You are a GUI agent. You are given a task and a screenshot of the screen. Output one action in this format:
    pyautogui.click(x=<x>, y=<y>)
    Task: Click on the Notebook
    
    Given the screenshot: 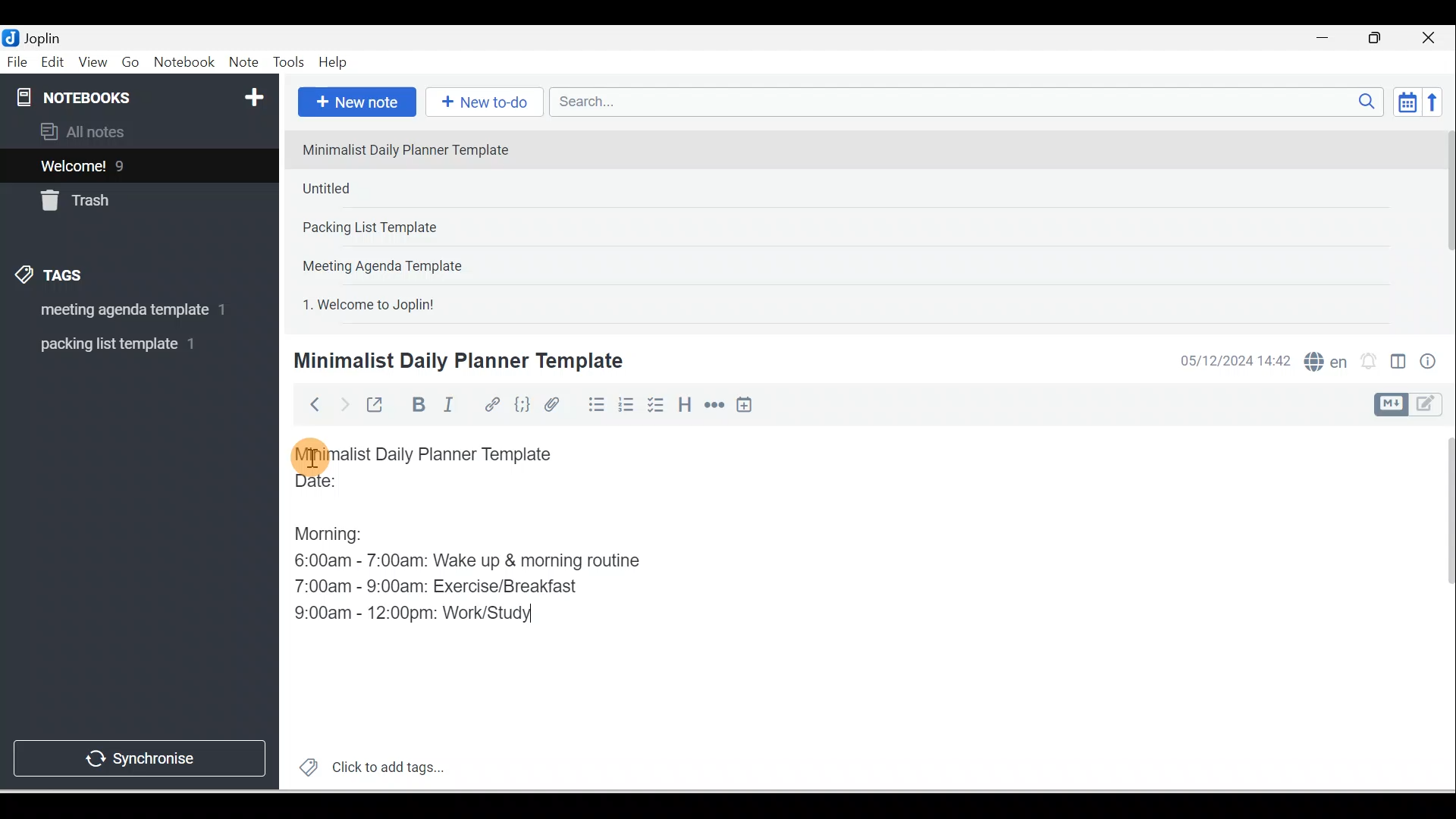 What is the action you would take?
    pyautogui.click(x=184, y=63)
    